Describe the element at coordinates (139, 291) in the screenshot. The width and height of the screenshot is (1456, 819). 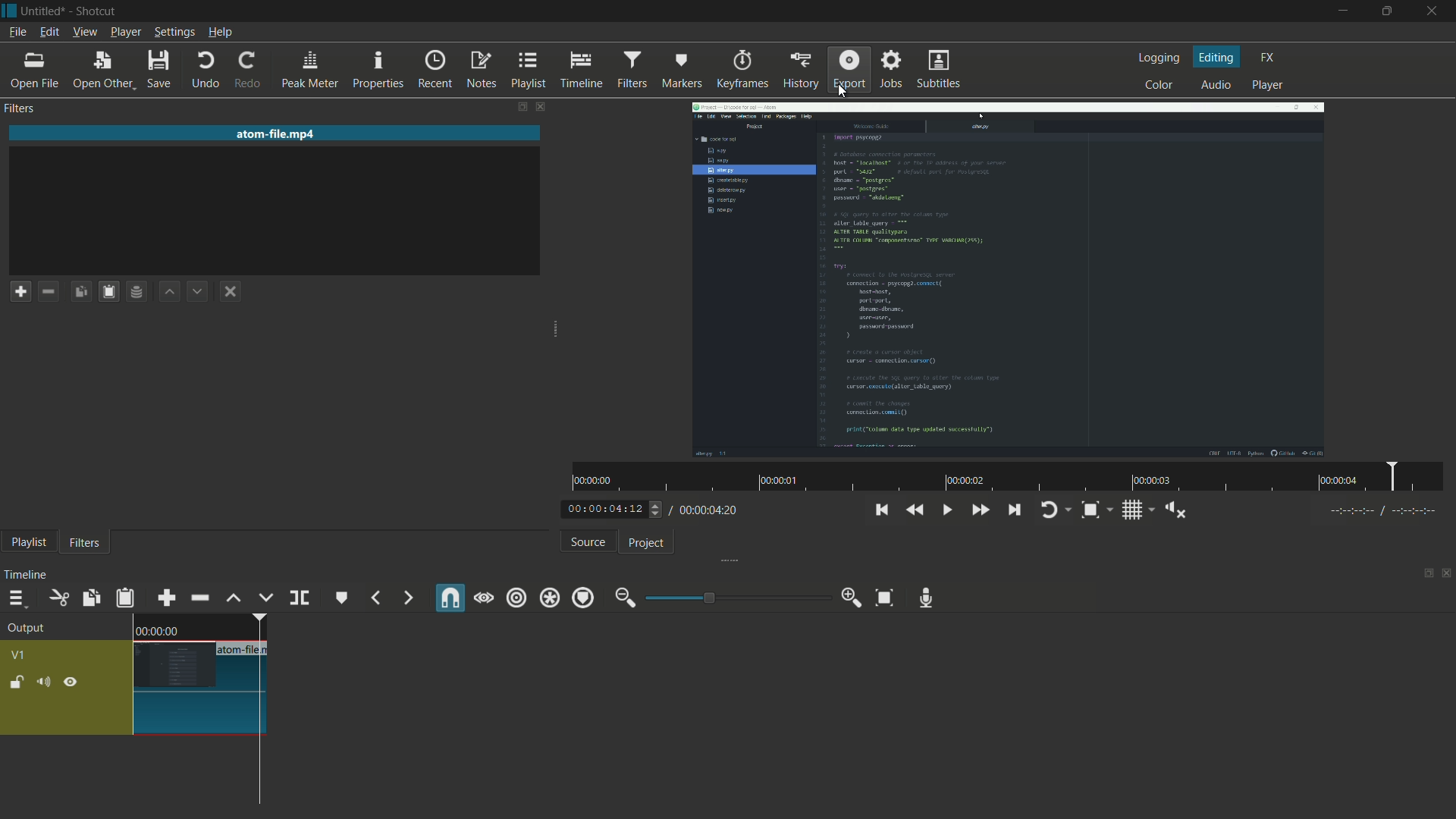
I see `save filter set` at that location.